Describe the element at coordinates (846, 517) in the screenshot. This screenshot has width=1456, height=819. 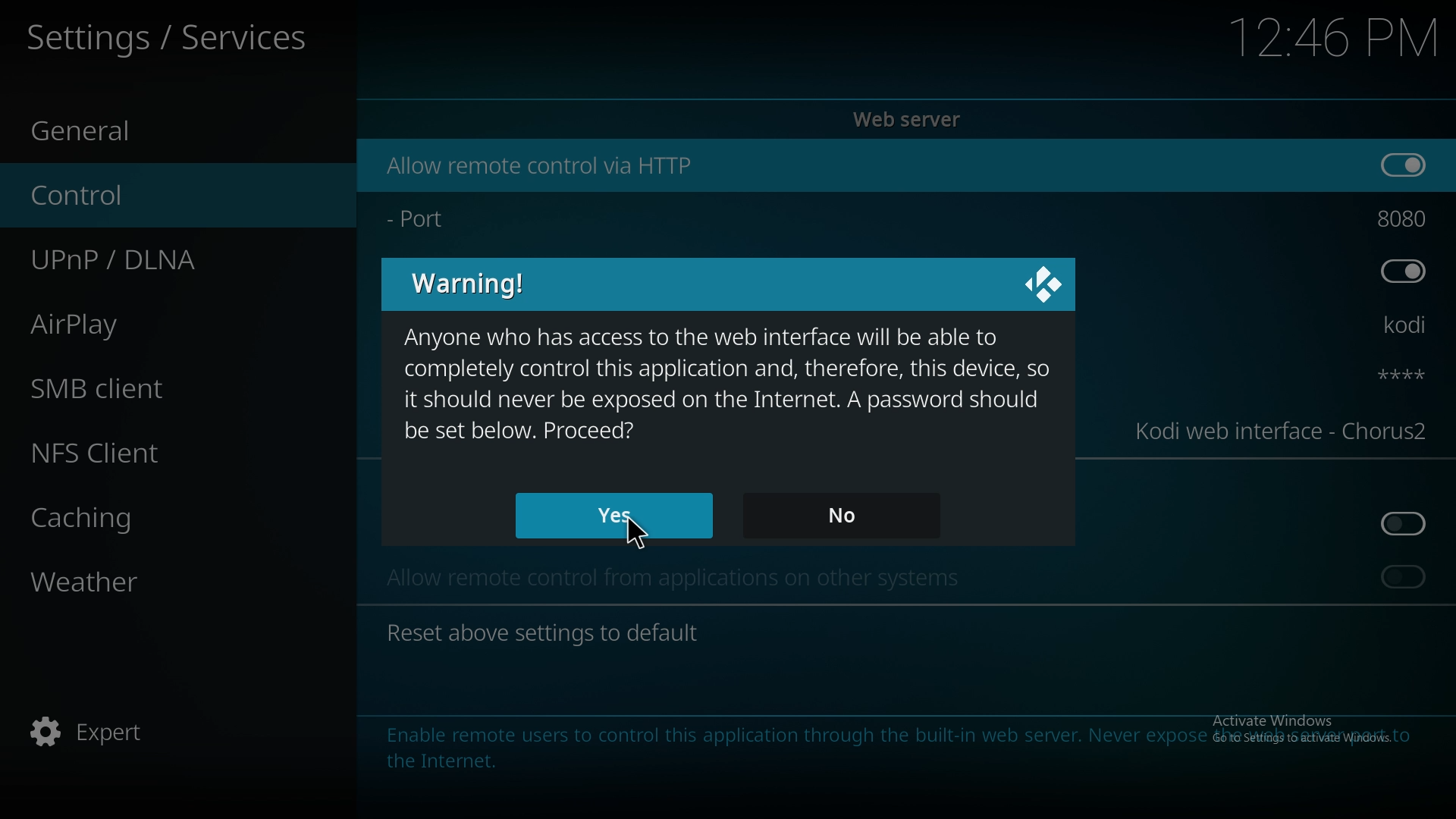
I see `no` at that location.